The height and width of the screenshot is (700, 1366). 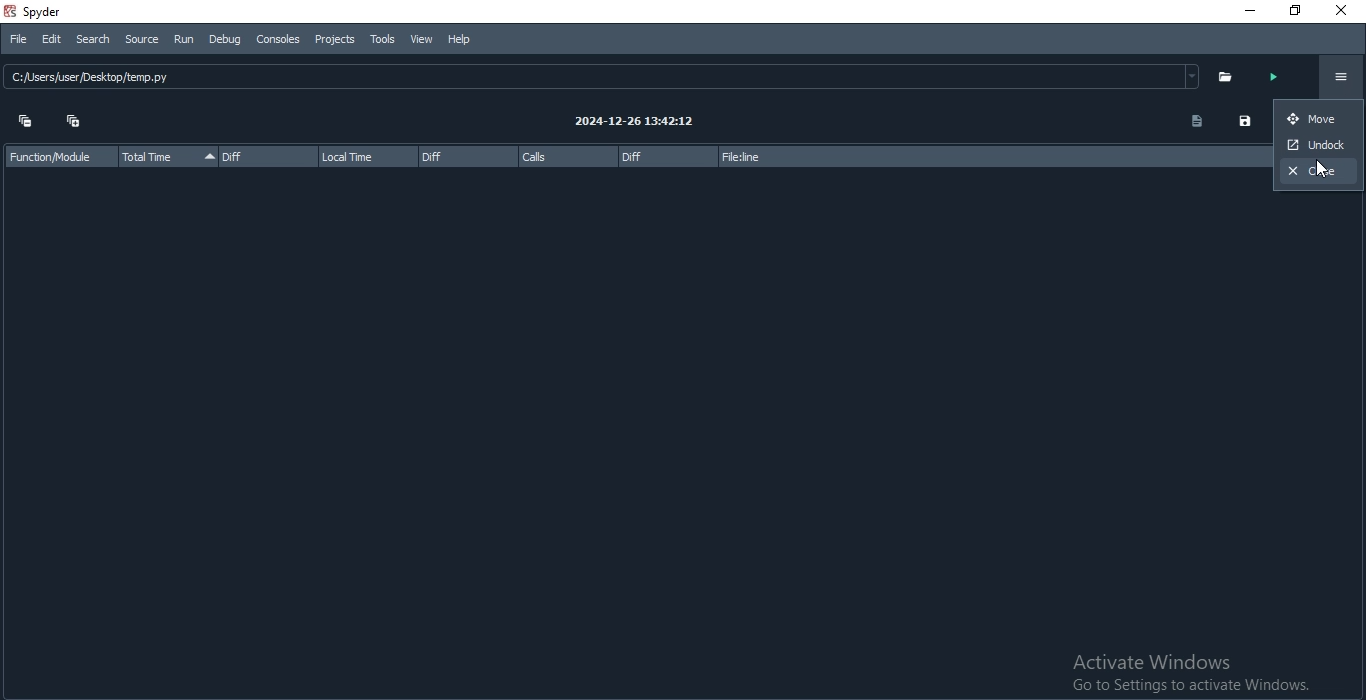 I want to click on expand, so click(x=76, y=121).